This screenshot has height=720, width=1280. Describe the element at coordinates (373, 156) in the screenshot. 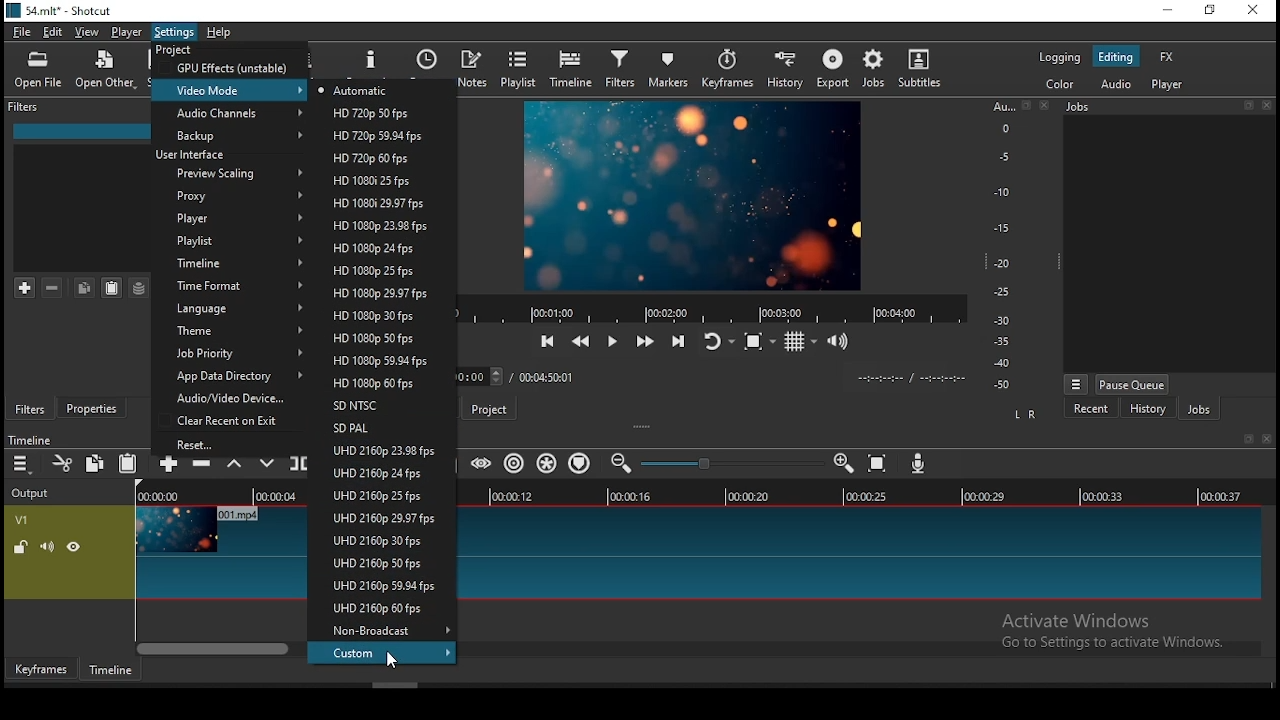

I see `resolution option` at that location.